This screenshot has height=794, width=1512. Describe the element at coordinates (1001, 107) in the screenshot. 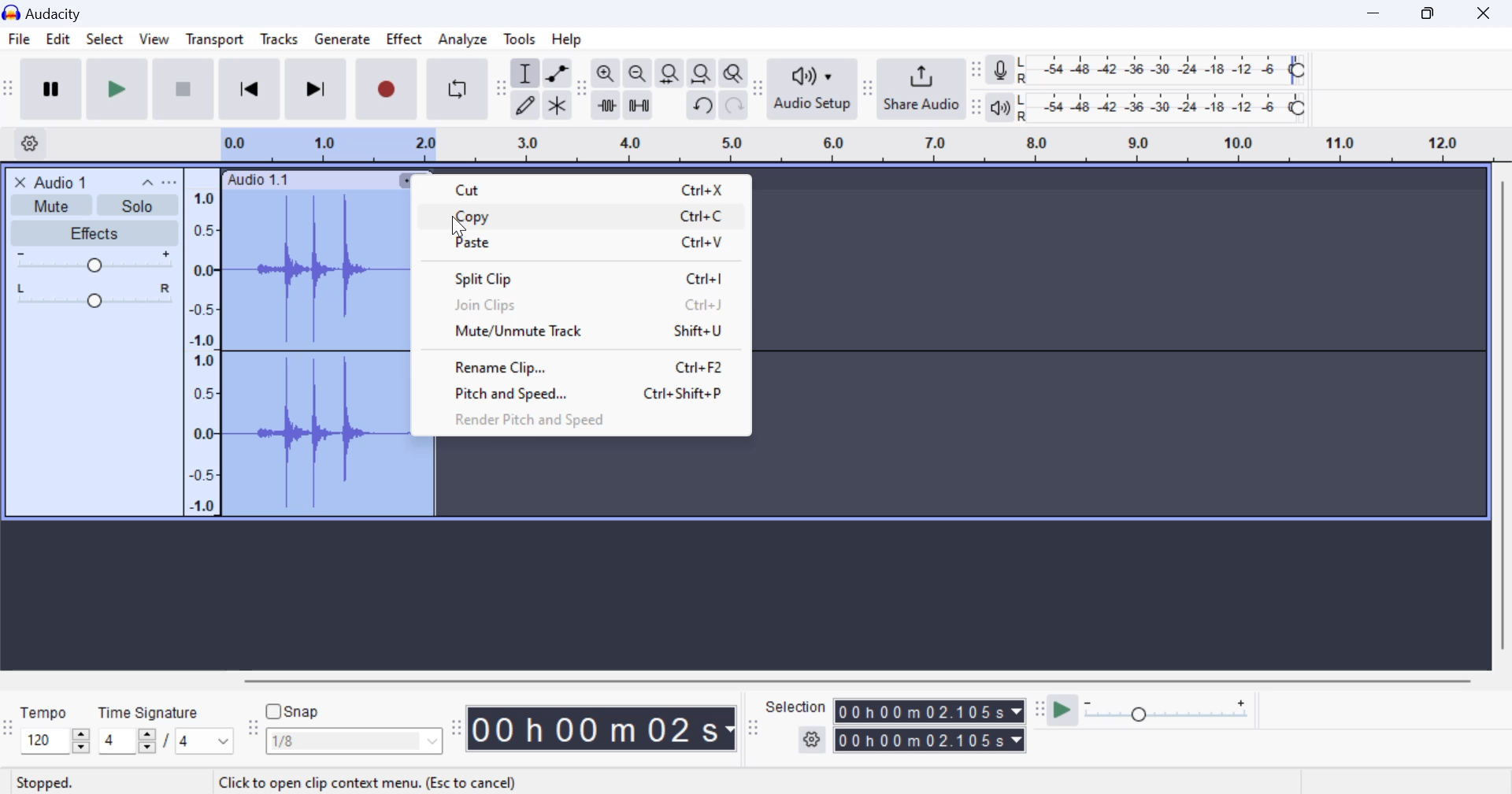

I see `playback meter` at that location.